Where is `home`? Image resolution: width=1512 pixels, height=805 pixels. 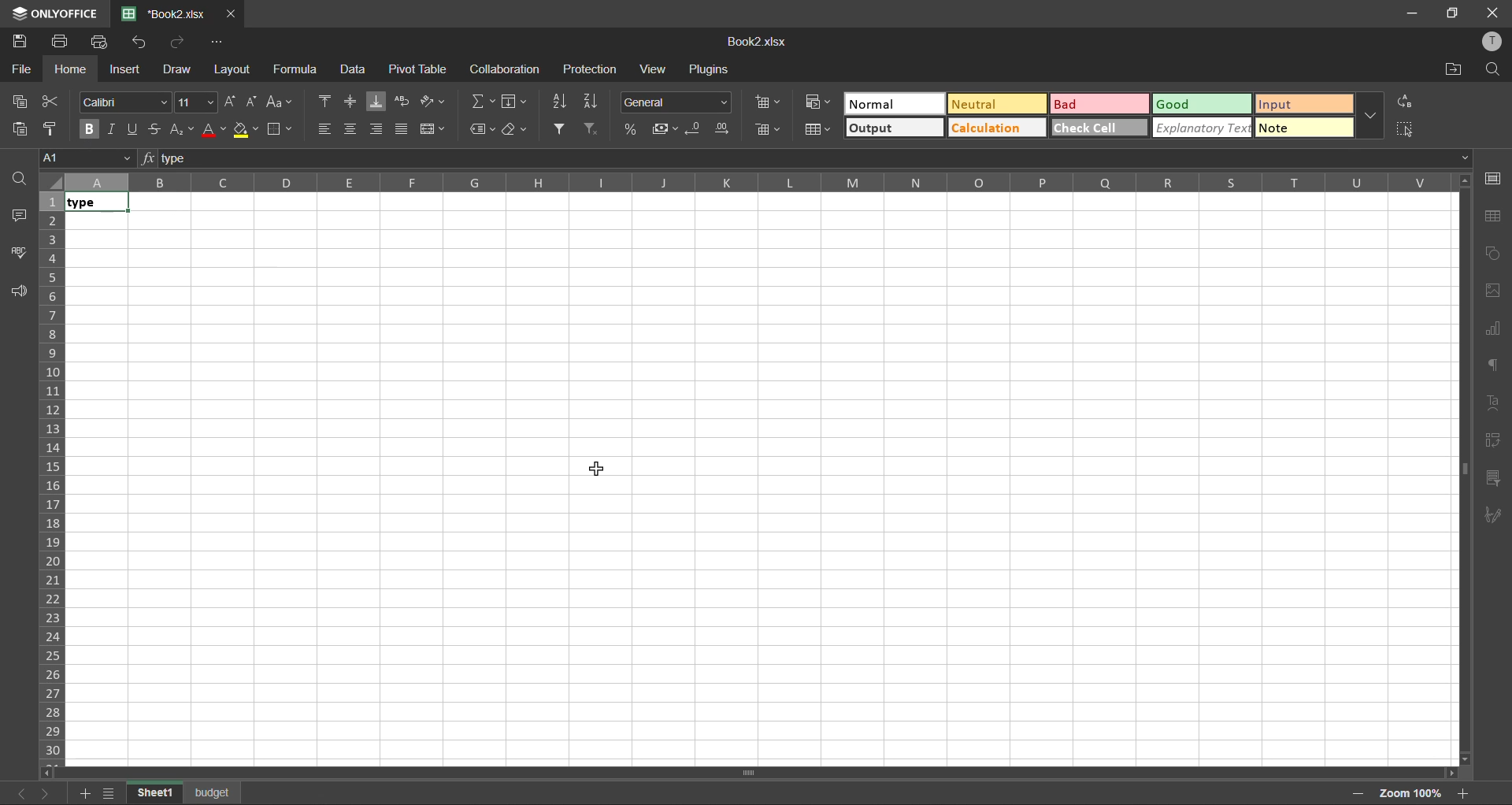 home is located at coordinates (69, 69).